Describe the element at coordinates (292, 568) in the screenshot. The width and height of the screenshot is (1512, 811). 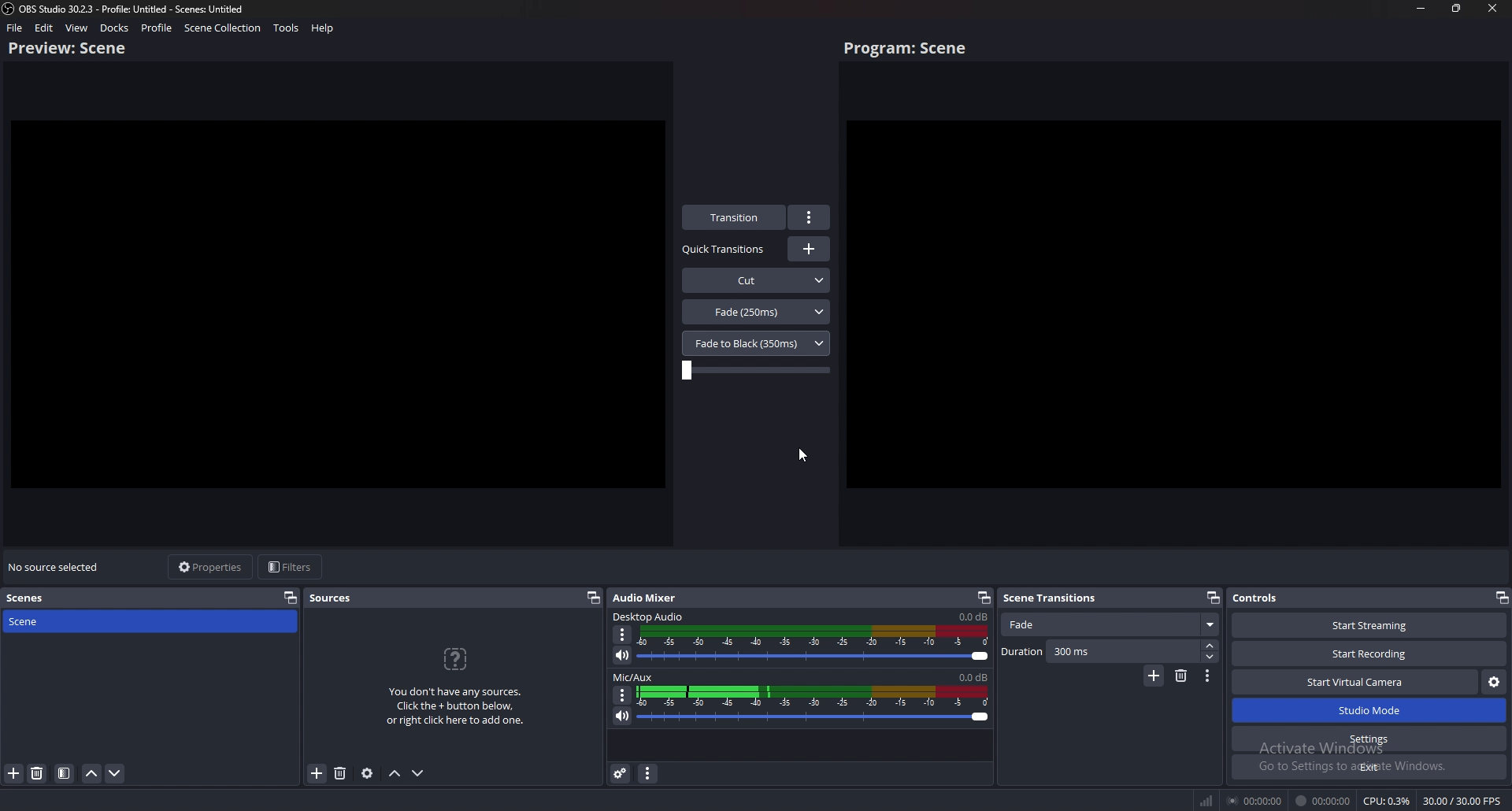
I see `filters` at that location.